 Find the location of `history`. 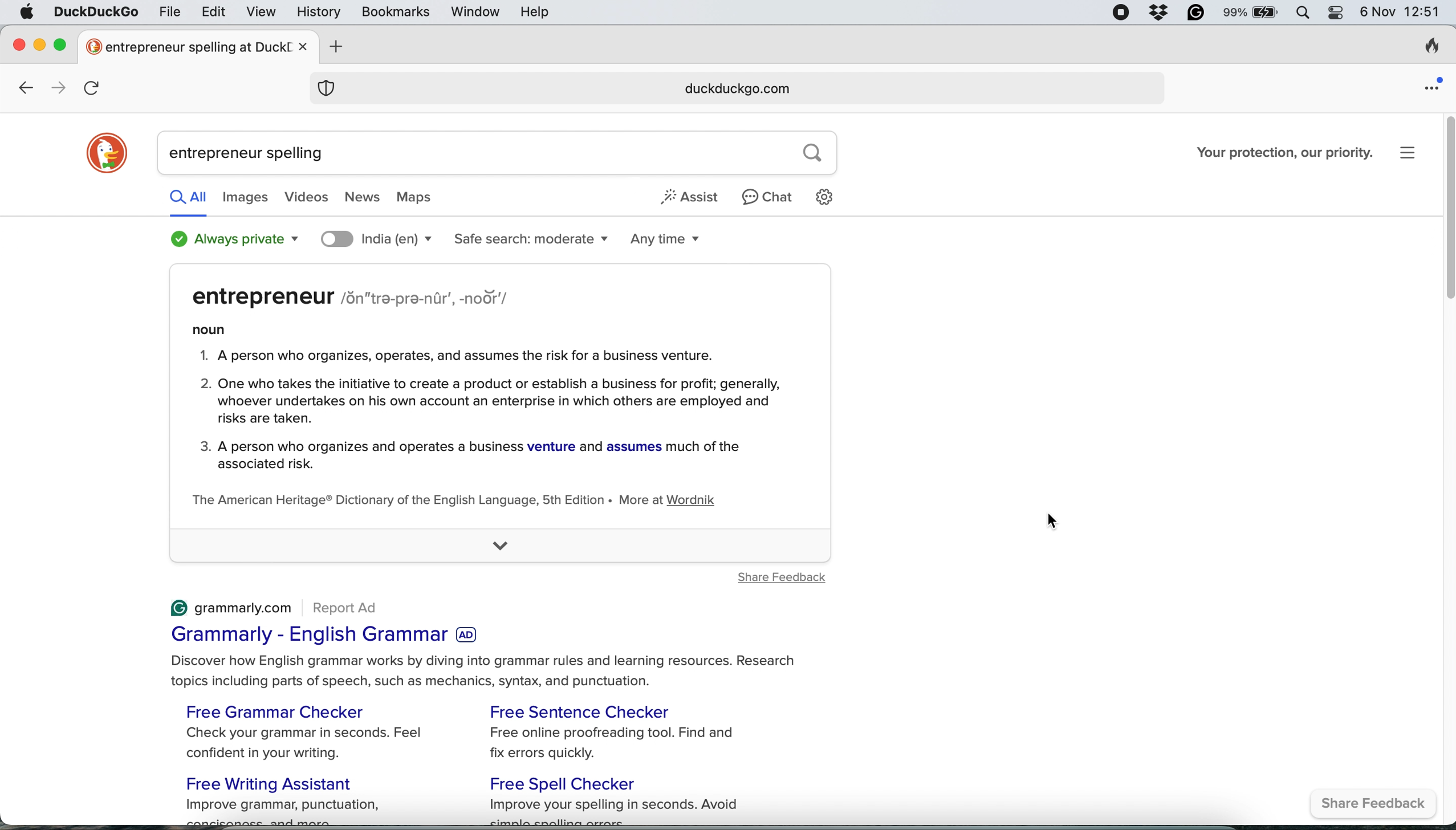

history is located at coordinates (318, 12).